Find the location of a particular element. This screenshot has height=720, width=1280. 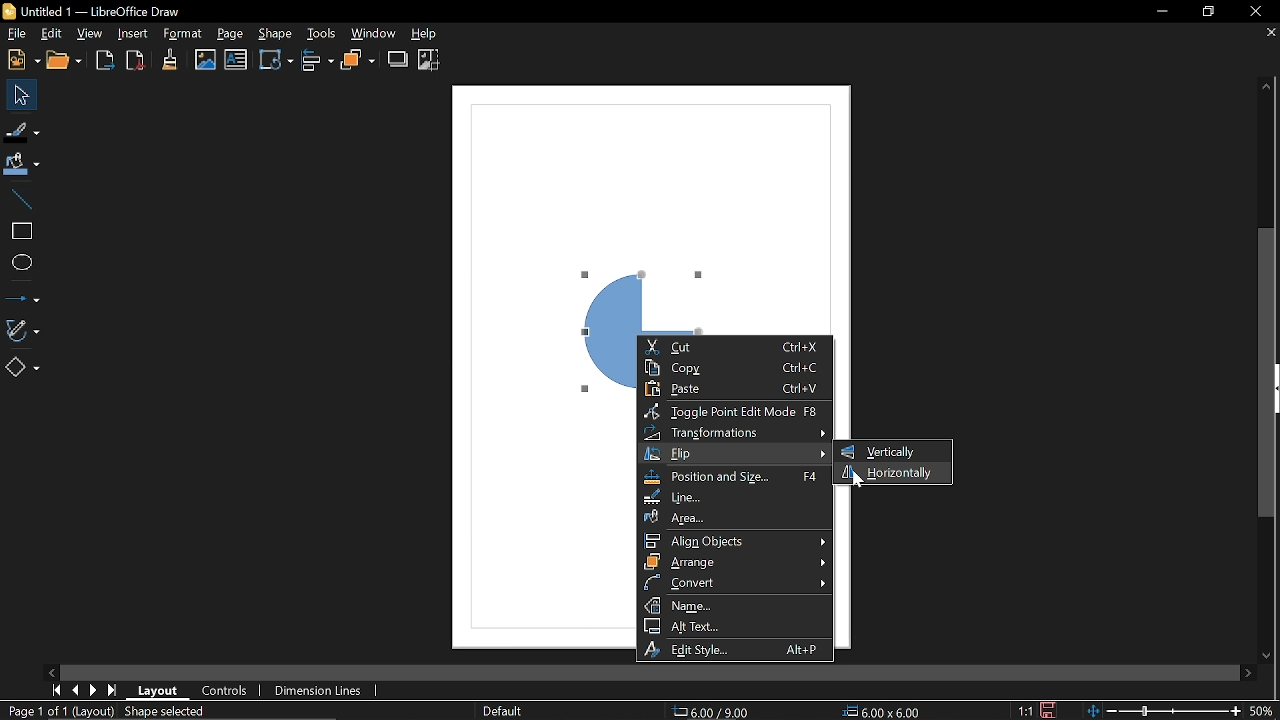

Minimize is located at coordinates (1162, 13).